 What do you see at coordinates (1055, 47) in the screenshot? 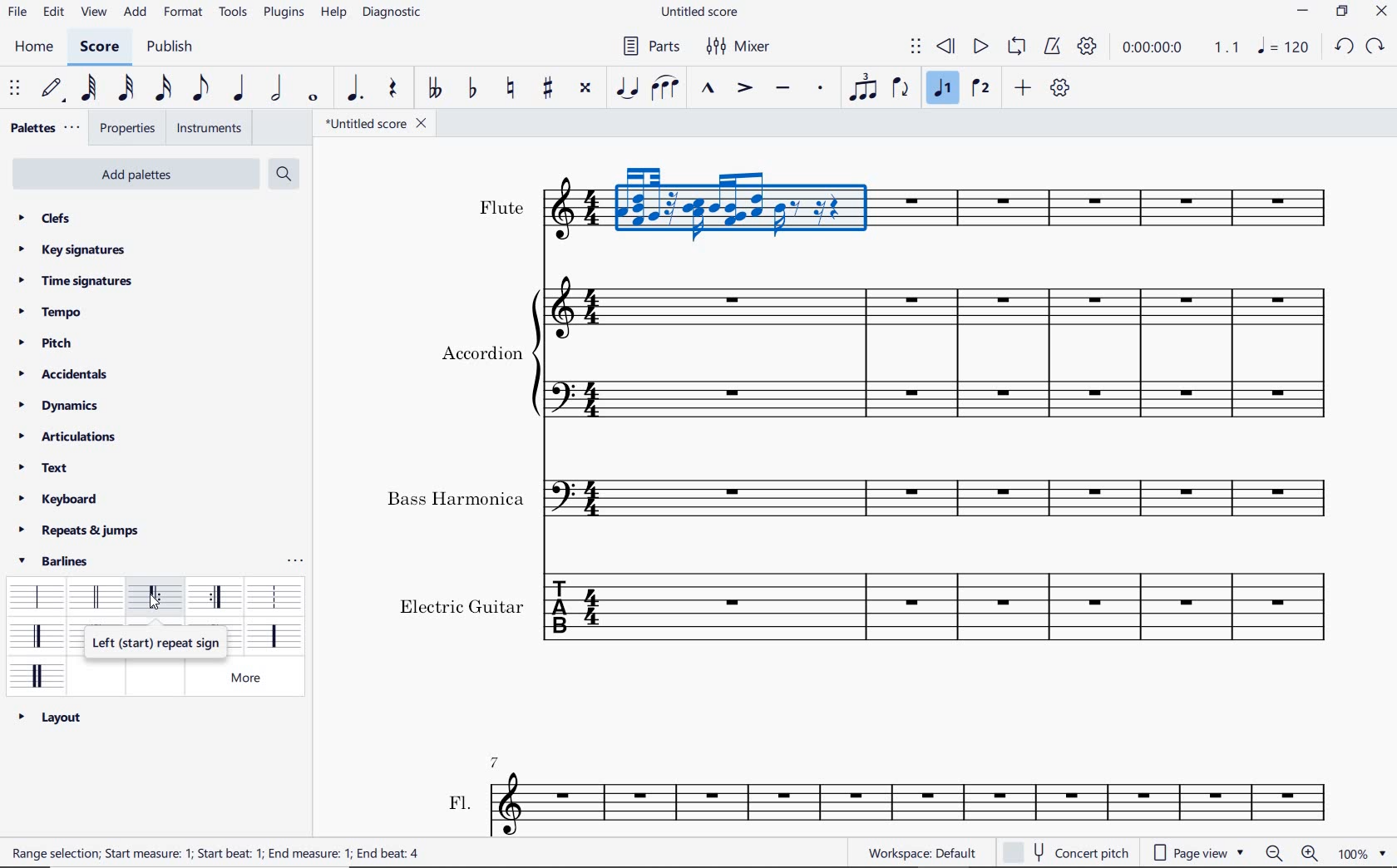
I see `metronome` at bounding box center [1055, 47].